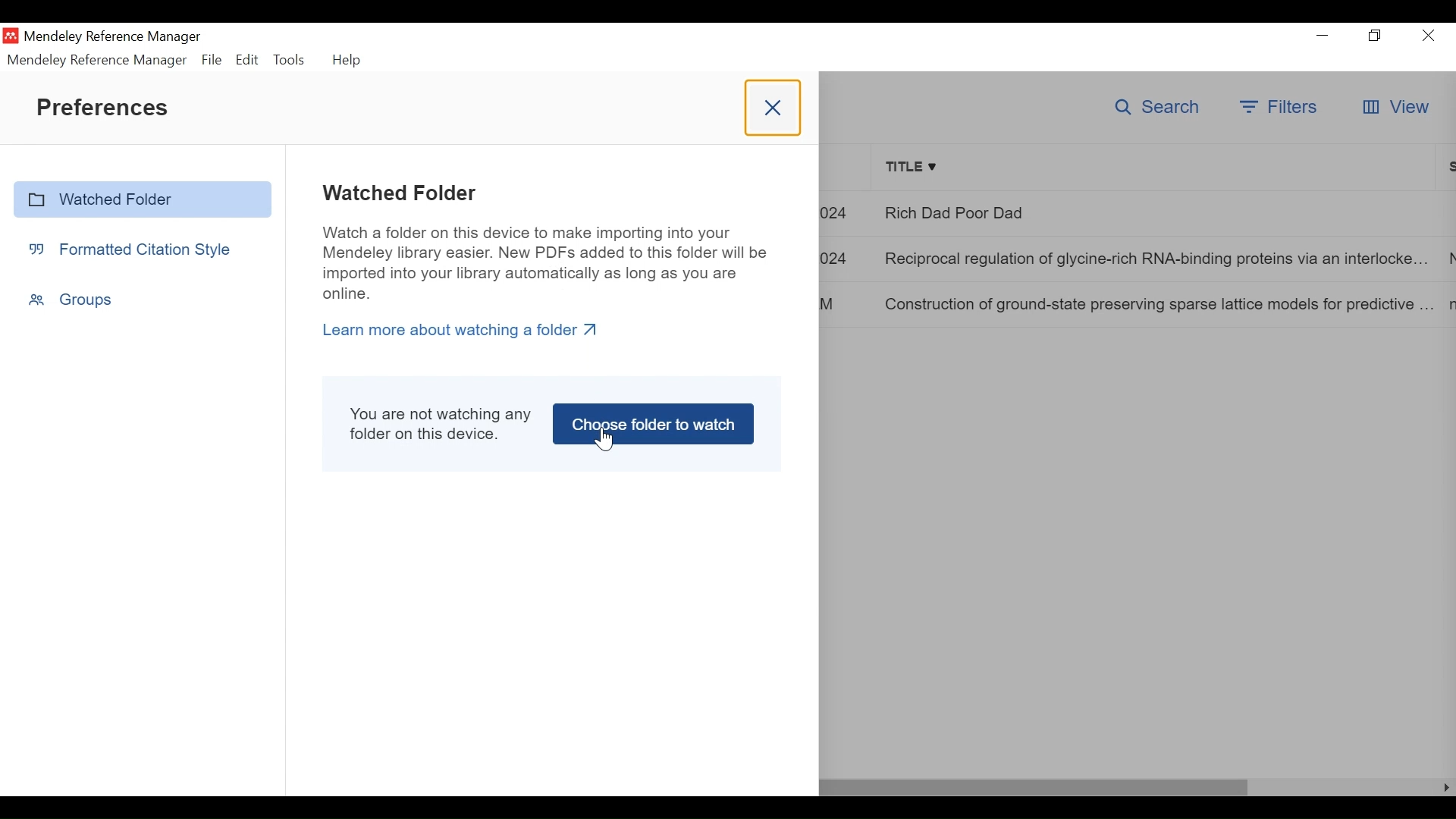 This screenshot has width=1456, height=819. What do you see at coordinates (1042, 215) in the screenshot?
I see `Rich Dad Poor Dad` at bounding box center [1042, 215].